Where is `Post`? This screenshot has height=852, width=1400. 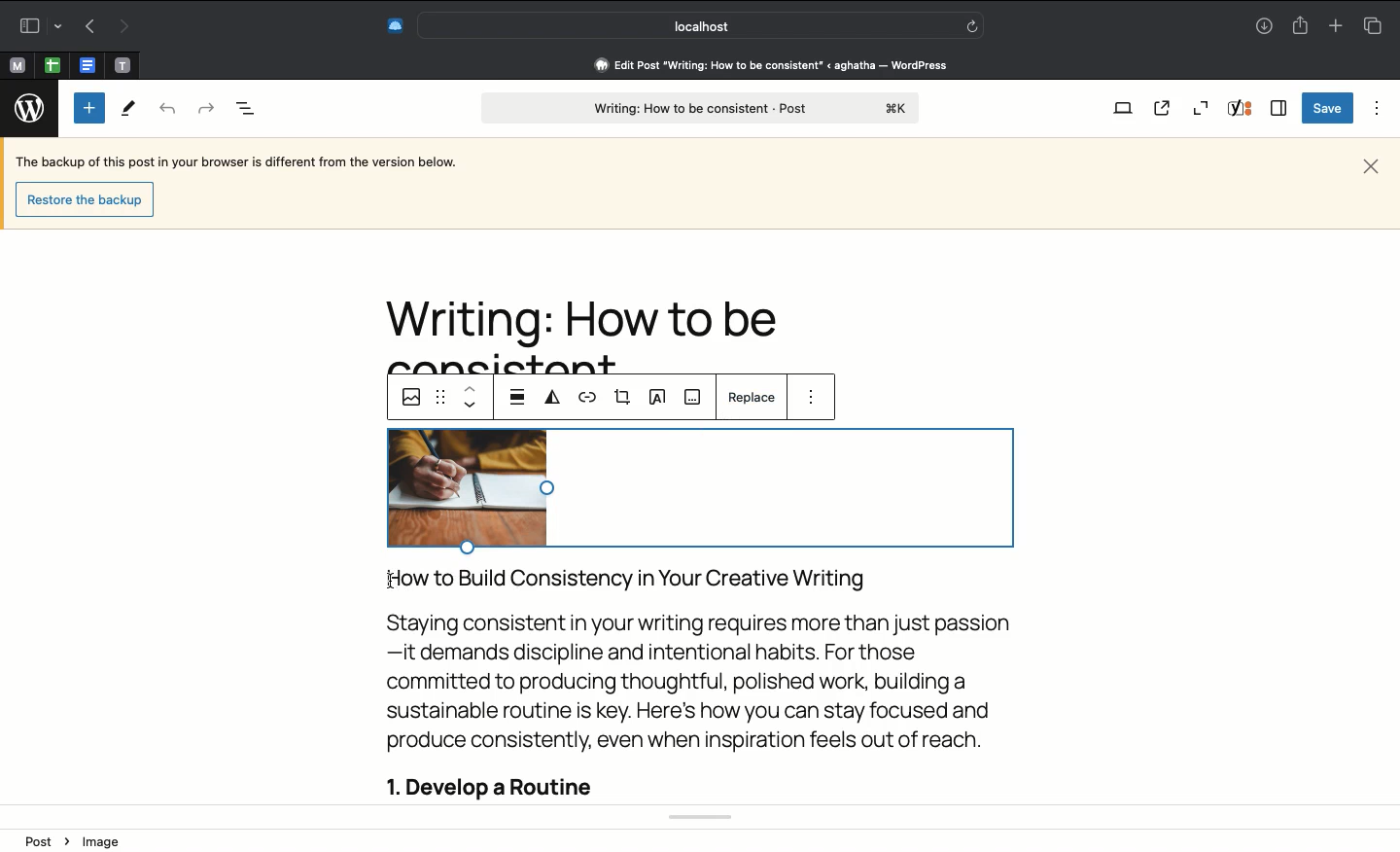
Post is located at coordinates (47, 840).